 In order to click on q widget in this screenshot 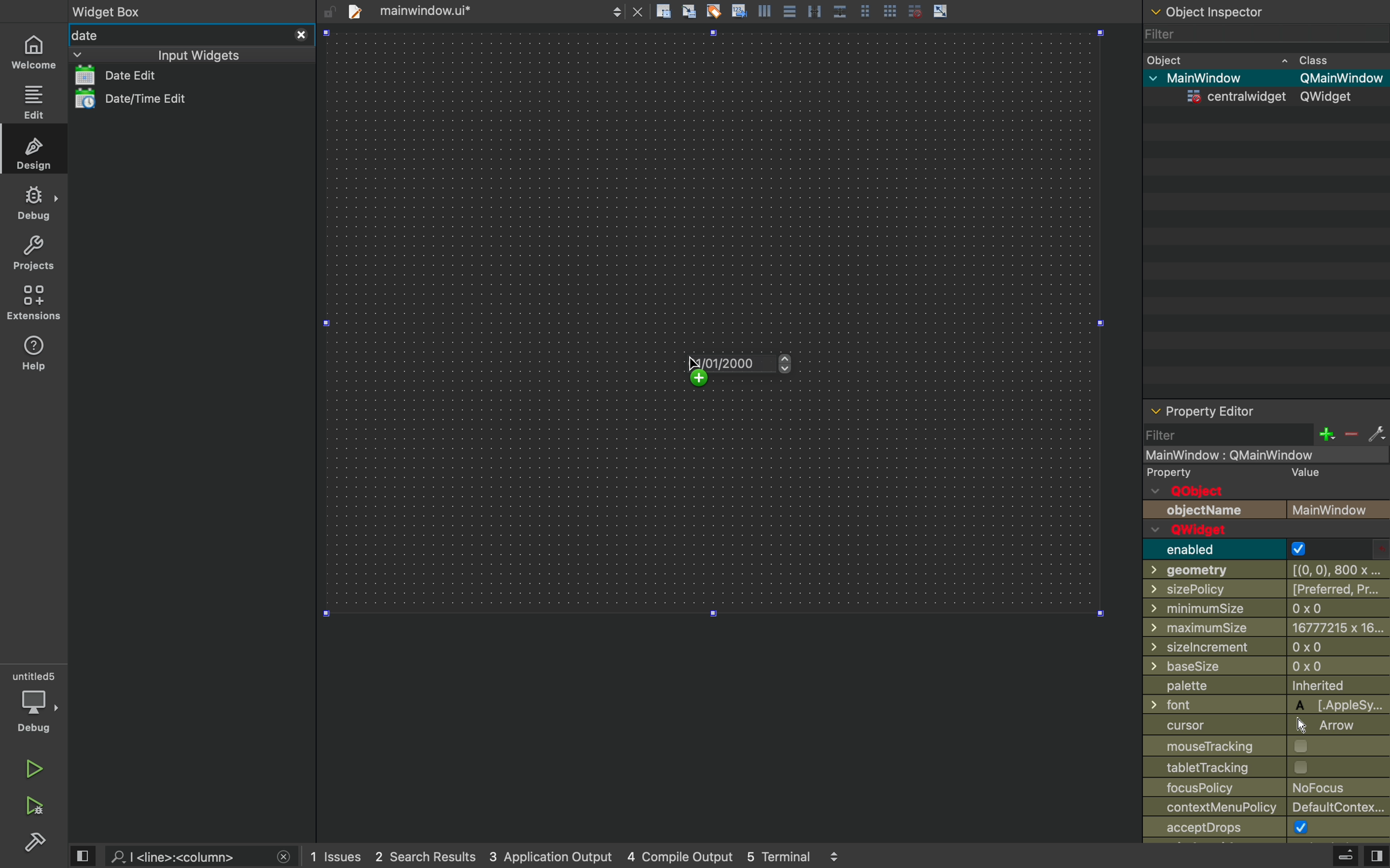, I will do `click(1235, 530)`.